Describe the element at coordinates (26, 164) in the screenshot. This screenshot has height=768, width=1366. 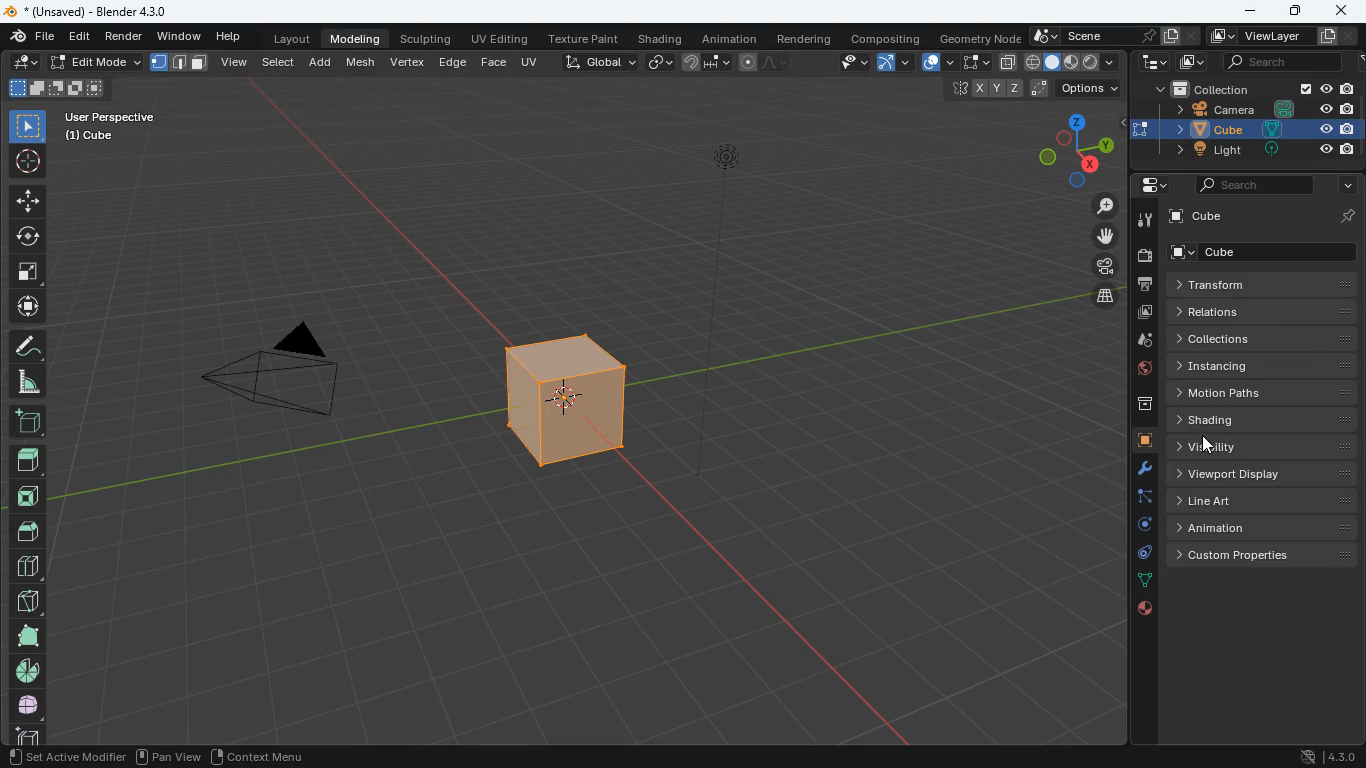
I see `aim` at that location.